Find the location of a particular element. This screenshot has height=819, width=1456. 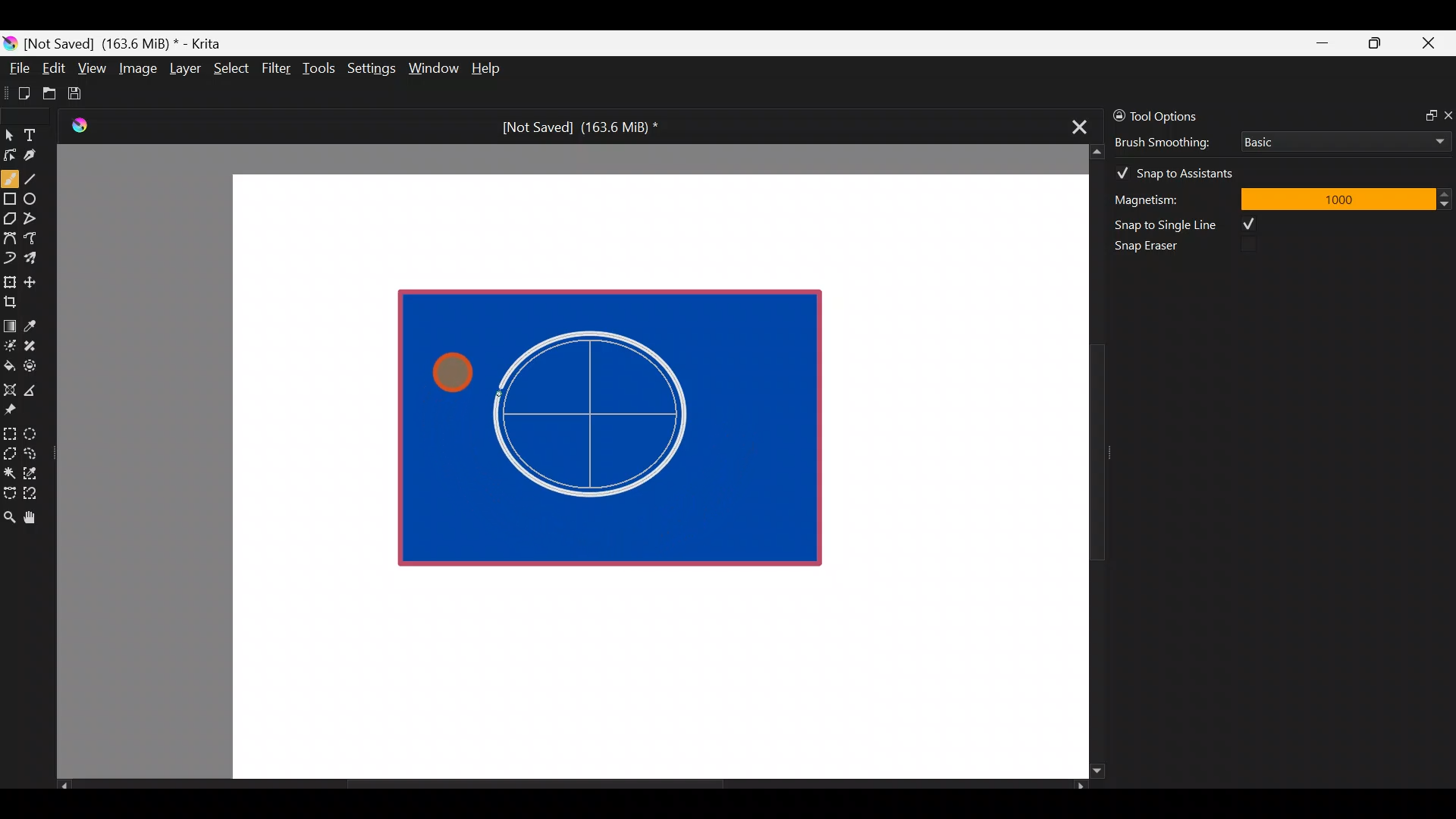

Calligraphy is located at coordinates (41, 158).